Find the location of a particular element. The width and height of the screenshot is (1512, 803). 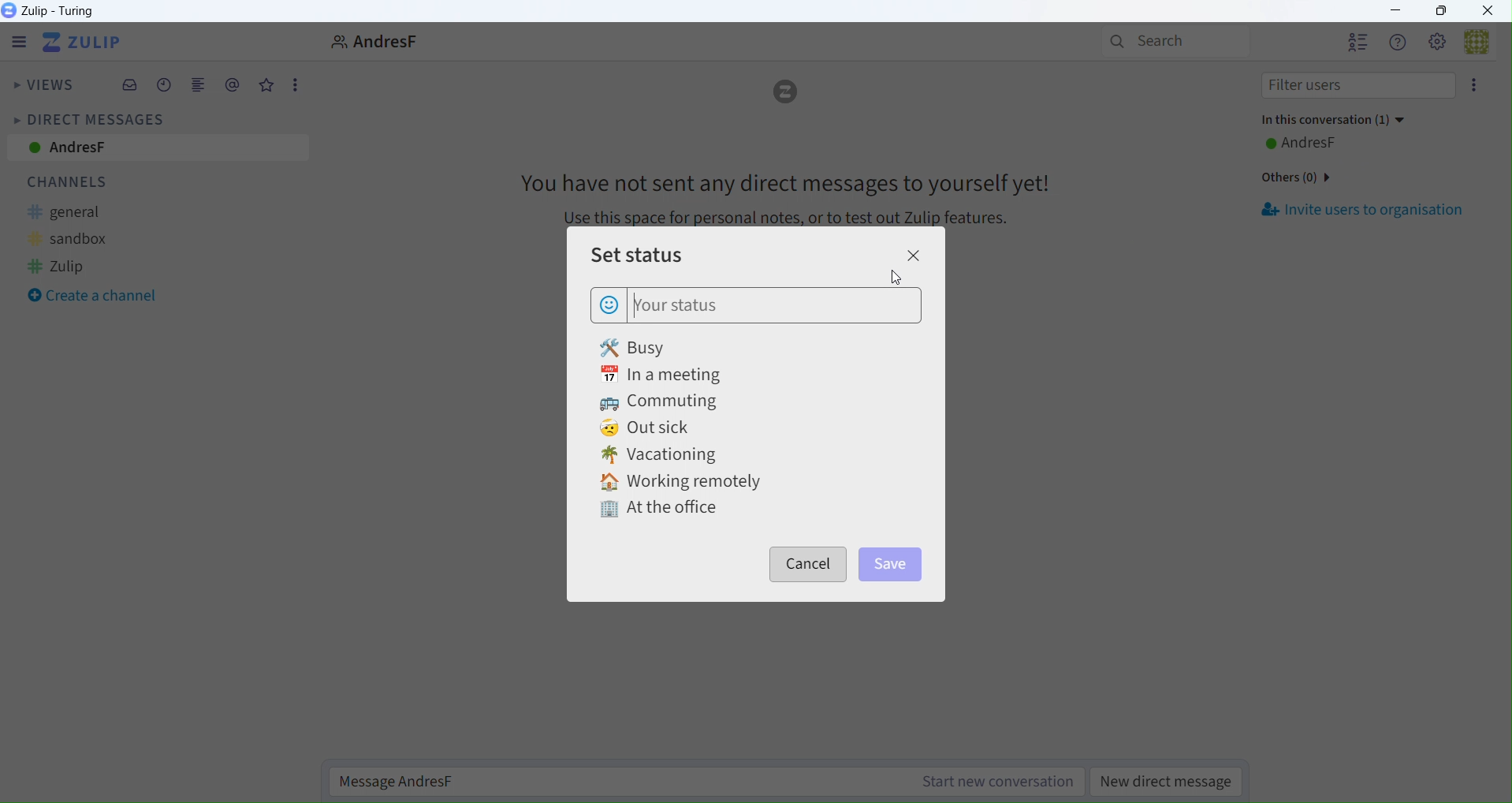

User is located at coordinates (1484, 47).